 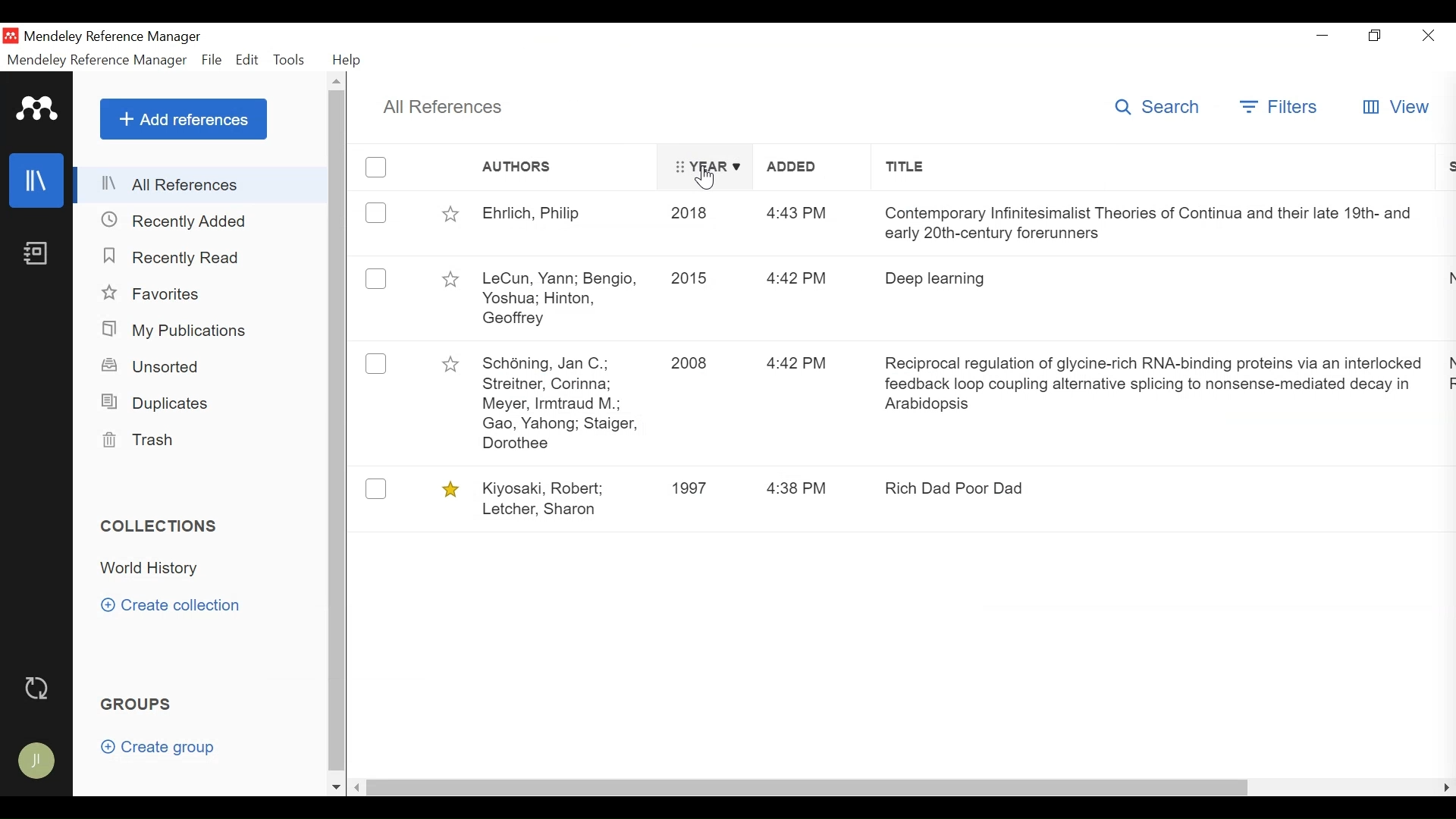 I want to click on Contemporary Infinitesimalist Theories of Continua and their late 19th- and early 20th-century forerunners, so click(x=1147, y=223).